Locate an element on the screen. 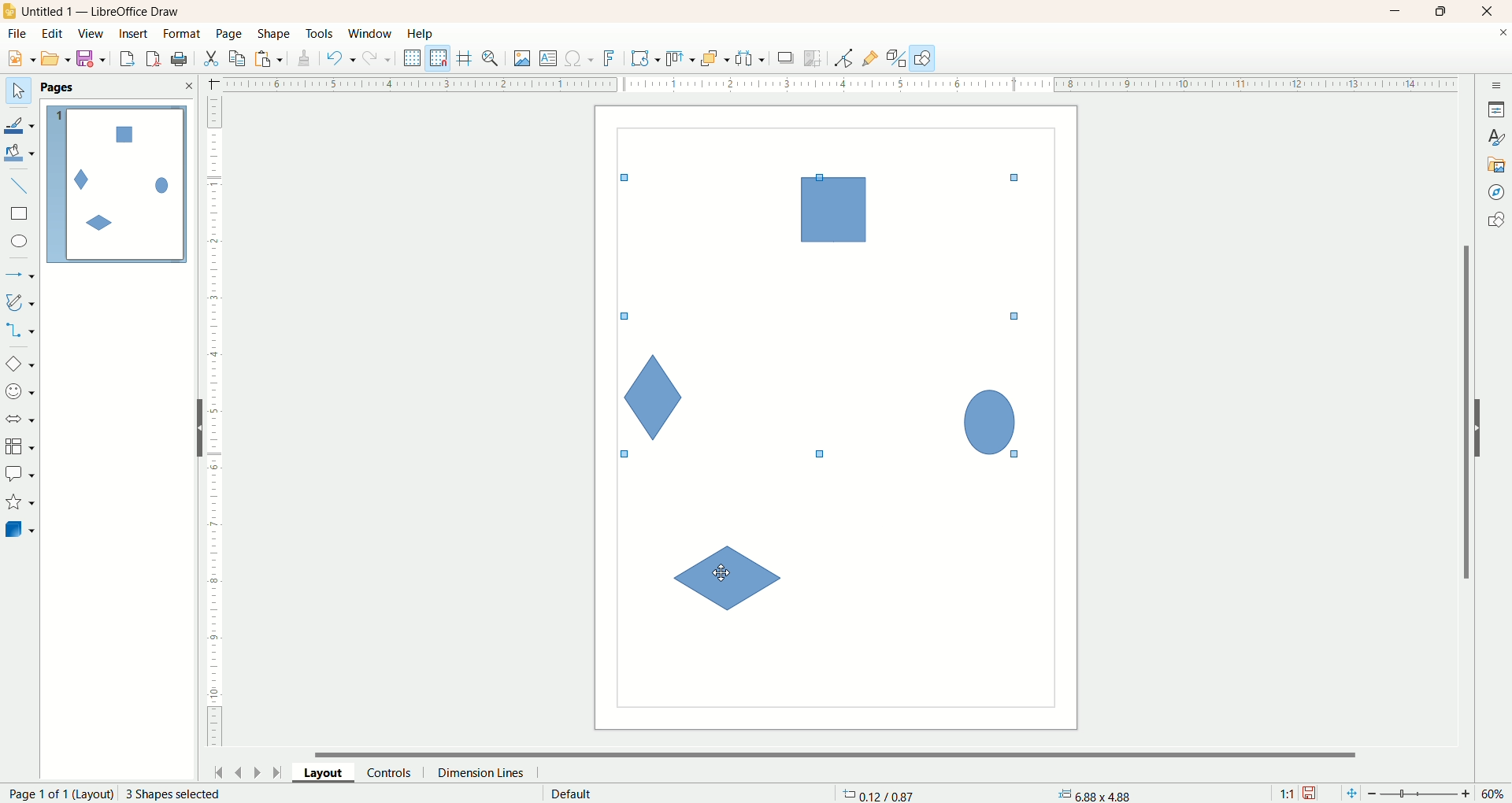 This screenshot has width=1512, height=803. fit to current window is located at coordinates (1350, 794).